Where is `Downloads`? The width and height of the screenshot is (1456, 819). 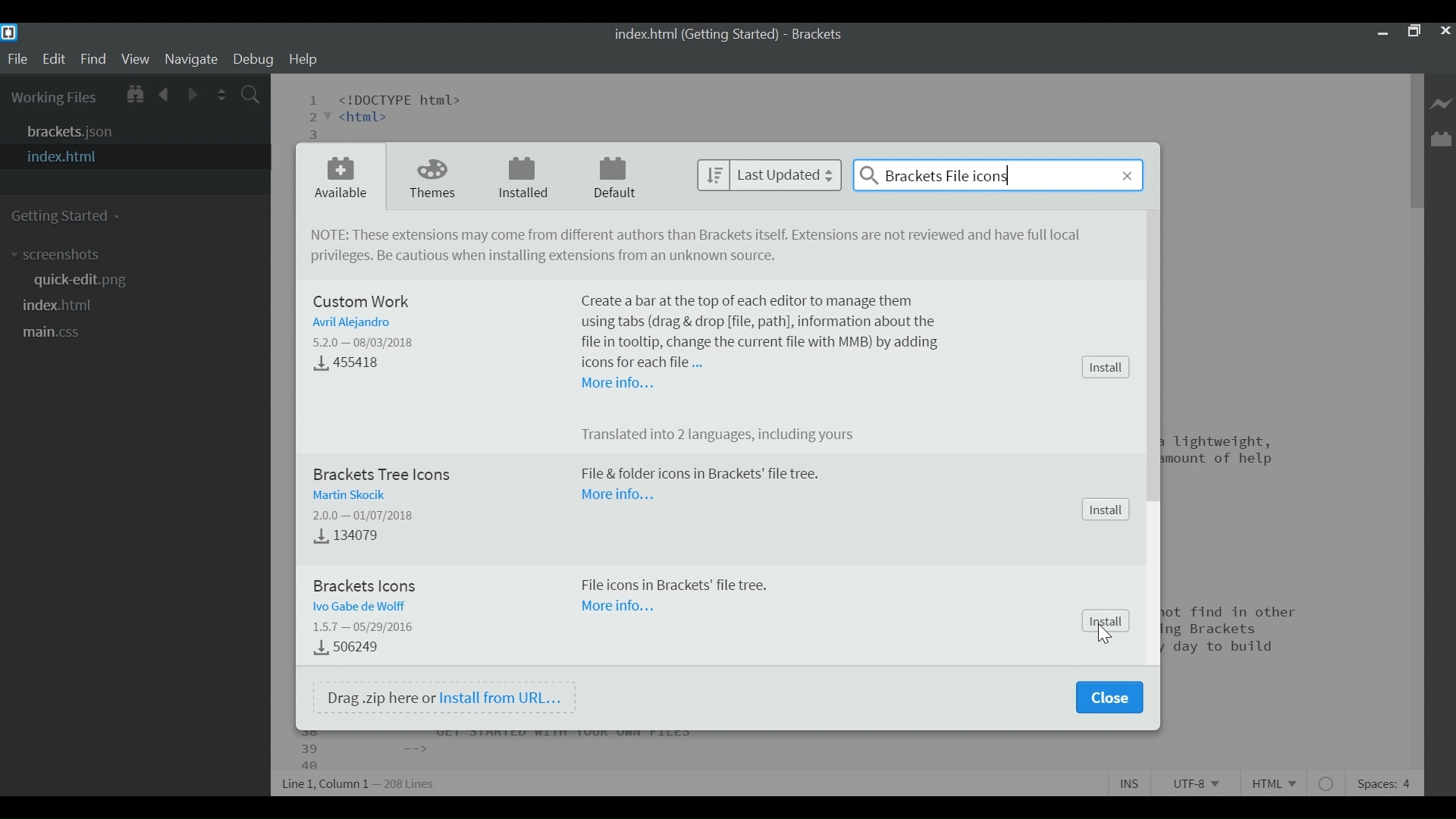
Downloads is located at coordinates (343, 538).